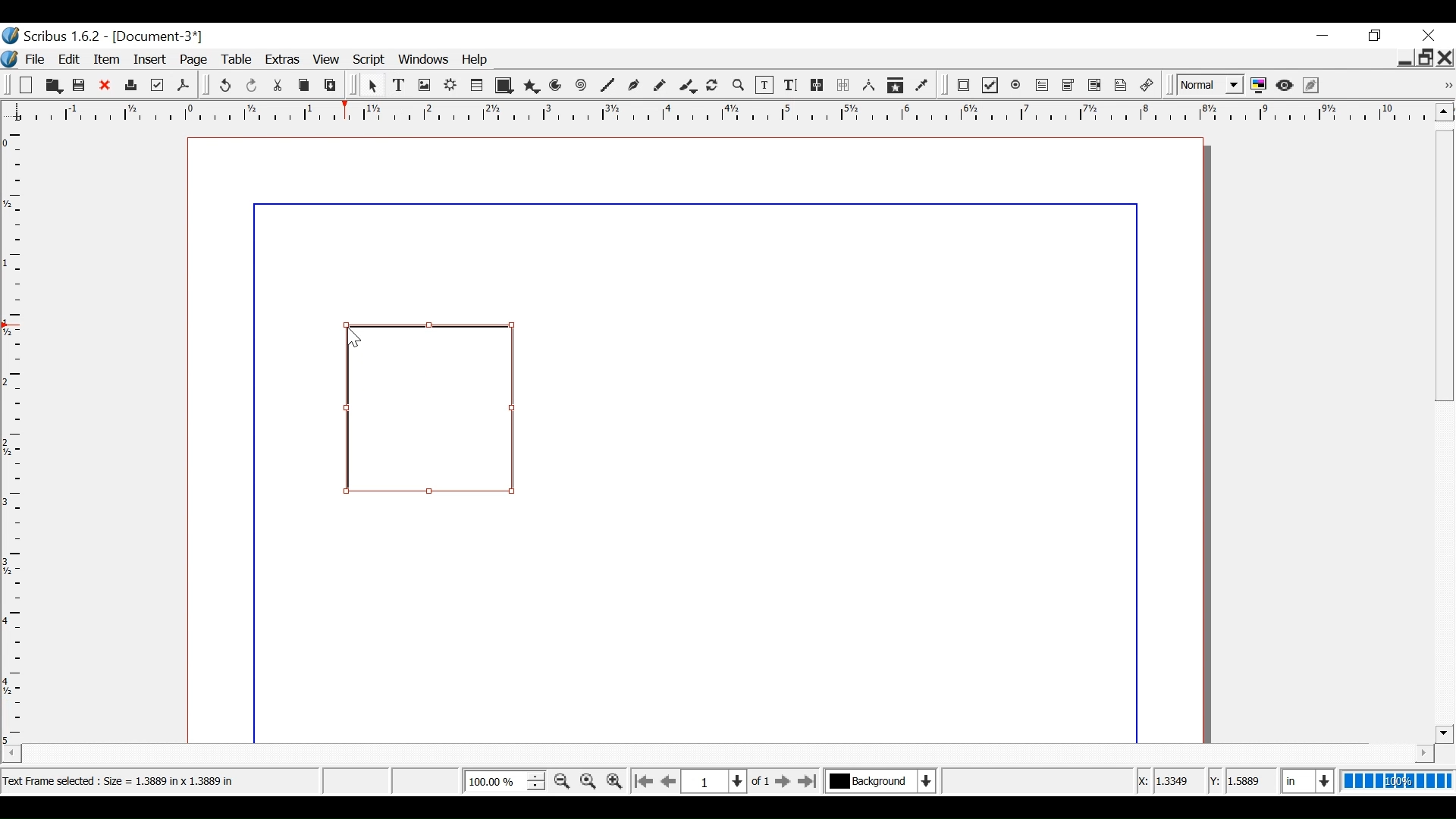 This screenshot has width=1456, height=819. Describe the element at coordinates (279, 83) in the screenshot. I see `Cut` at that location.